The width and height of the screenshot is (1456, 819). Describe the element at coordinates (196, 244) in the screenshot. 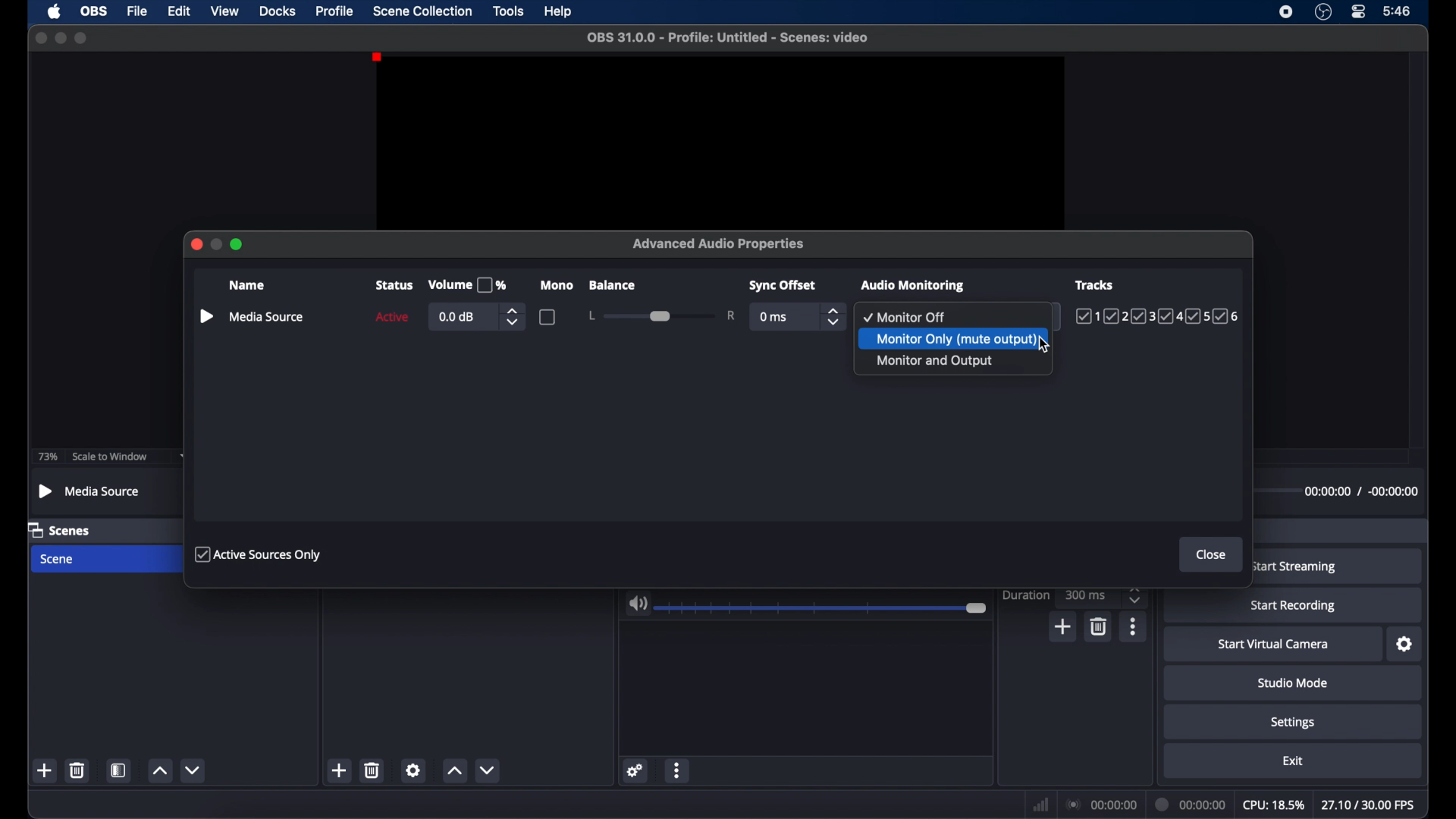

I see `close` at that location.